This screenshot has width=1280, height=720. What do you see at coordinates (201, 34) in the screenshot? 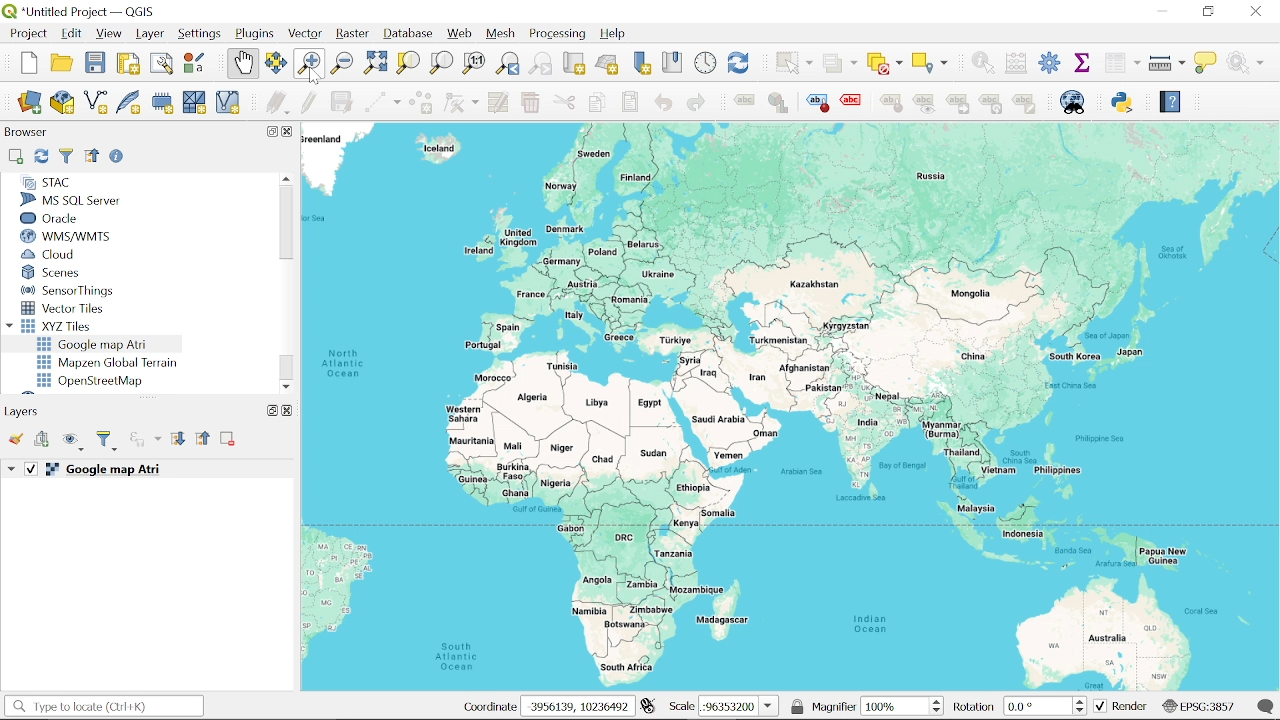
I see `Settings` at bounding box center [201, 34].